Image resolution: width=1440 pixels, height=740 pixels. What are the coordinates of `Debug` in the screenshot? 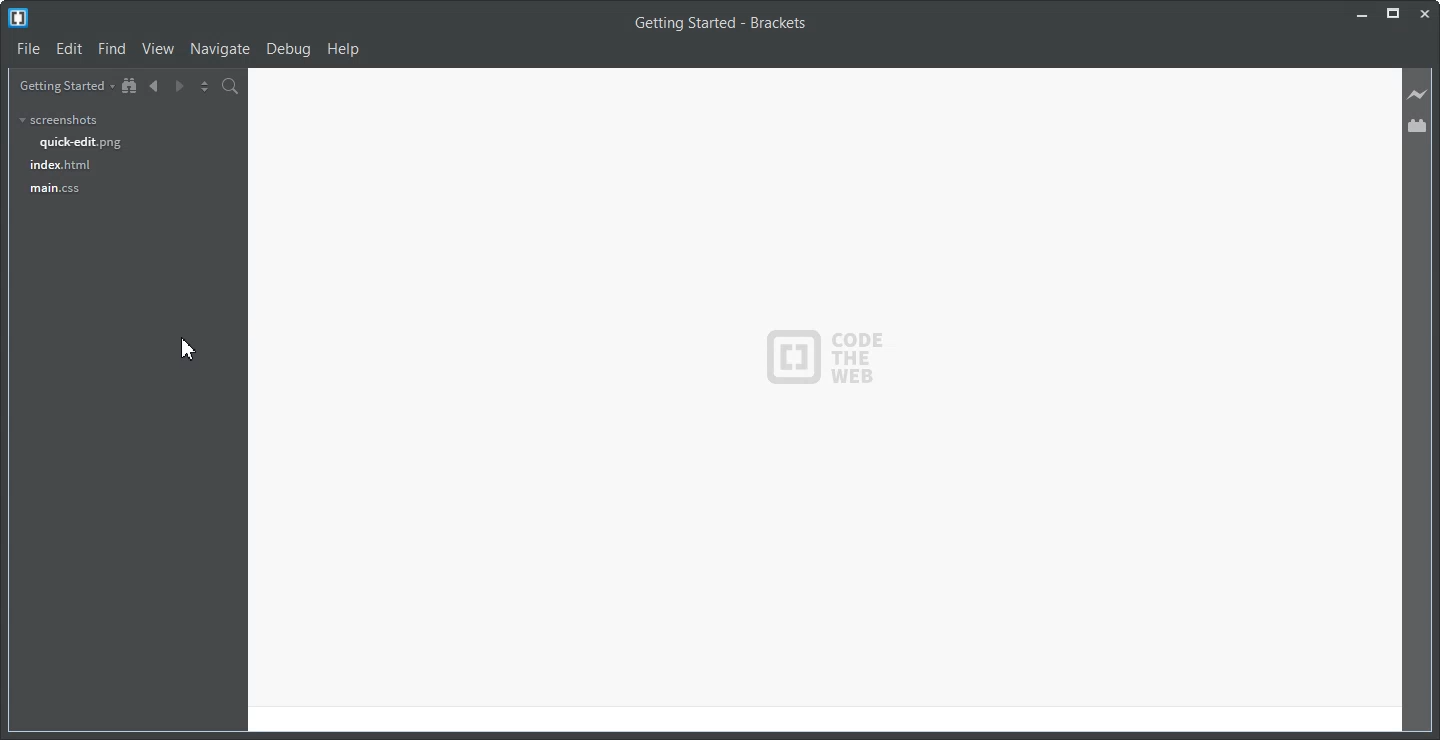 It's located at (289, 50).